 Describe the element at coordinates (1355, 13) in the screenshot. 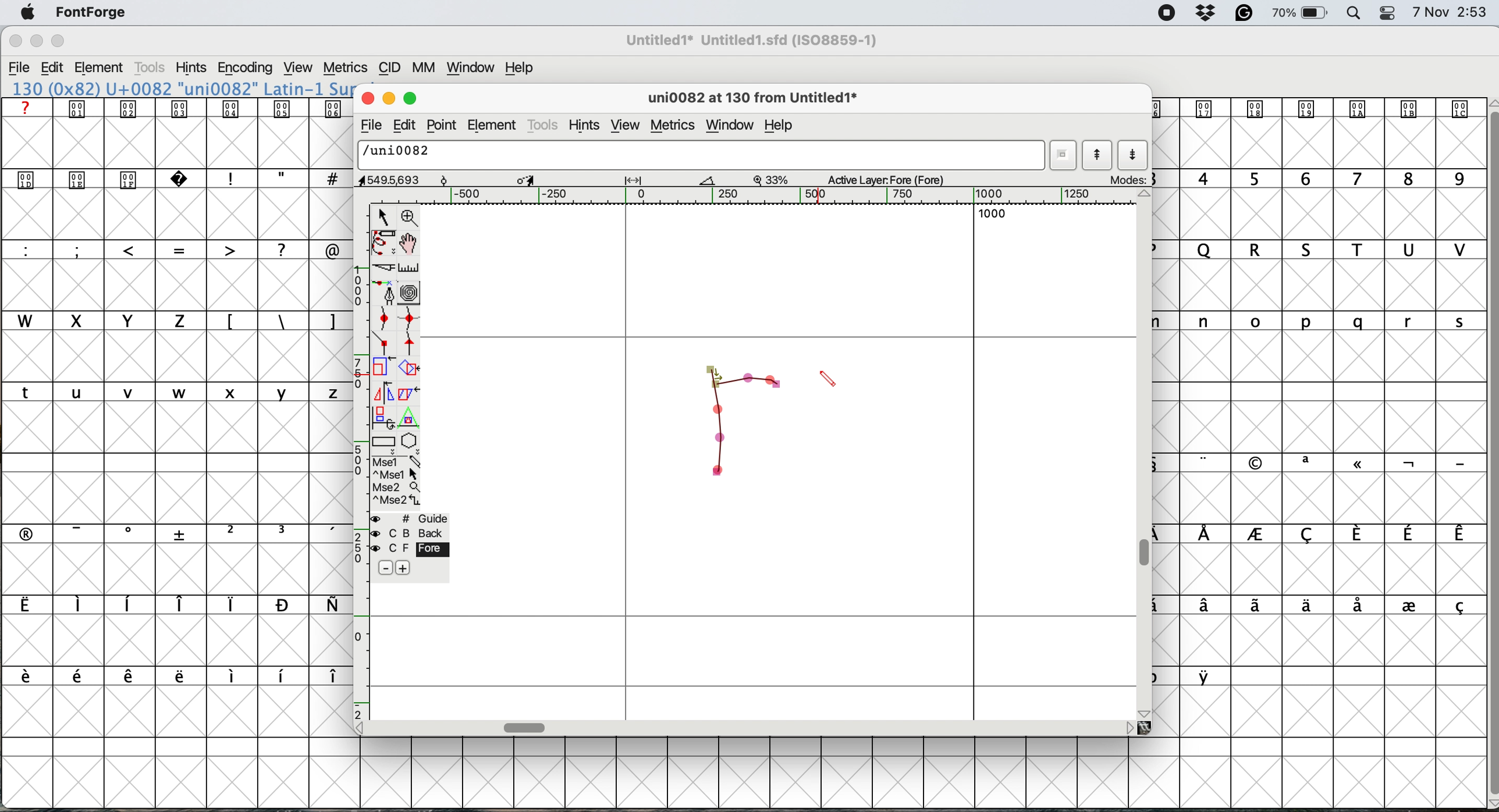

I see `spotlight search` at that location.